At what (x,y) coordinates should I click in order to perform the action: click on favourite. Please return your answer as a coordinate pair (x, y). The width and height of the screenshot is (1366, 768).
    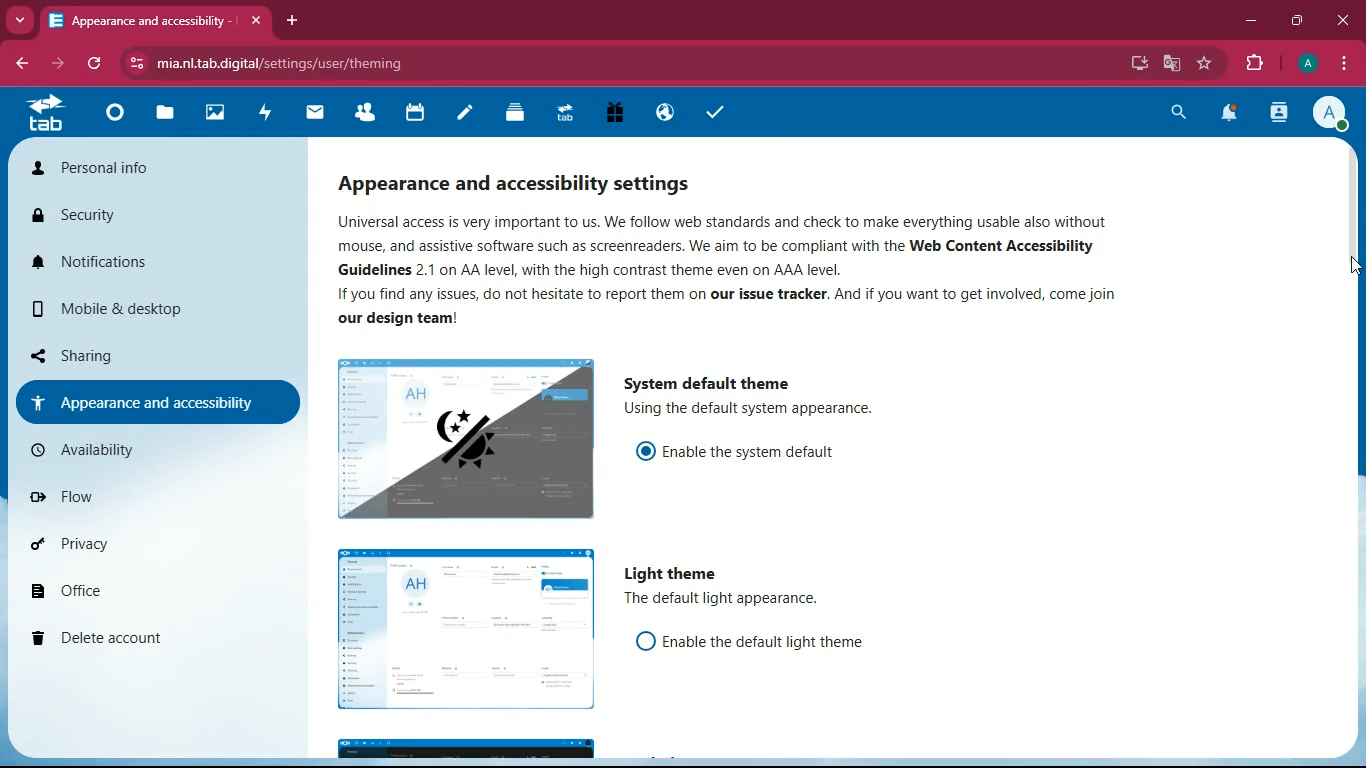
    Looking at the image, I should click on (1202, 64).